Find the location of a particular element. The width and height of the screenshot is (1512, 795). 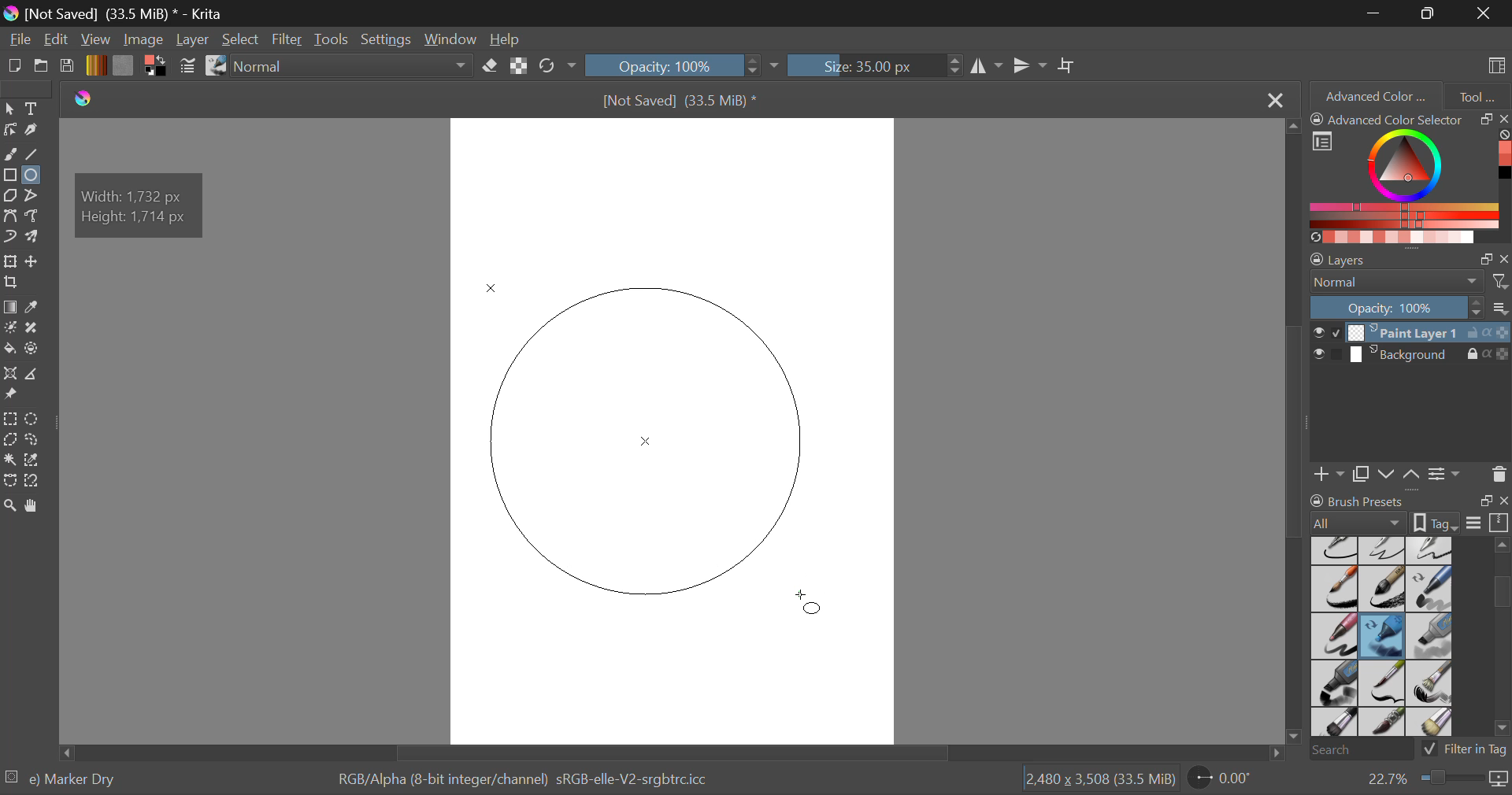

Fill is located at coordinates (9, 346).